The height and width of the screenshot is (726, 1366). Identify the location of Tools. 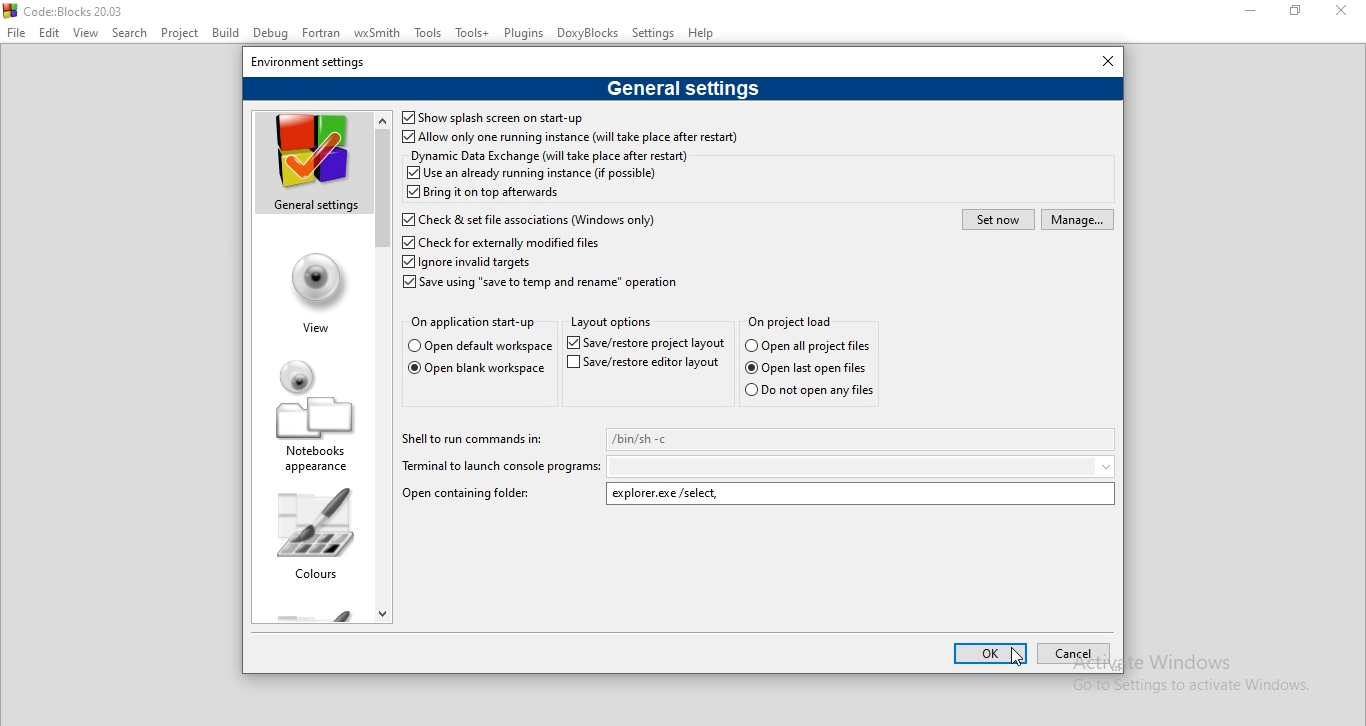
(429, 34).